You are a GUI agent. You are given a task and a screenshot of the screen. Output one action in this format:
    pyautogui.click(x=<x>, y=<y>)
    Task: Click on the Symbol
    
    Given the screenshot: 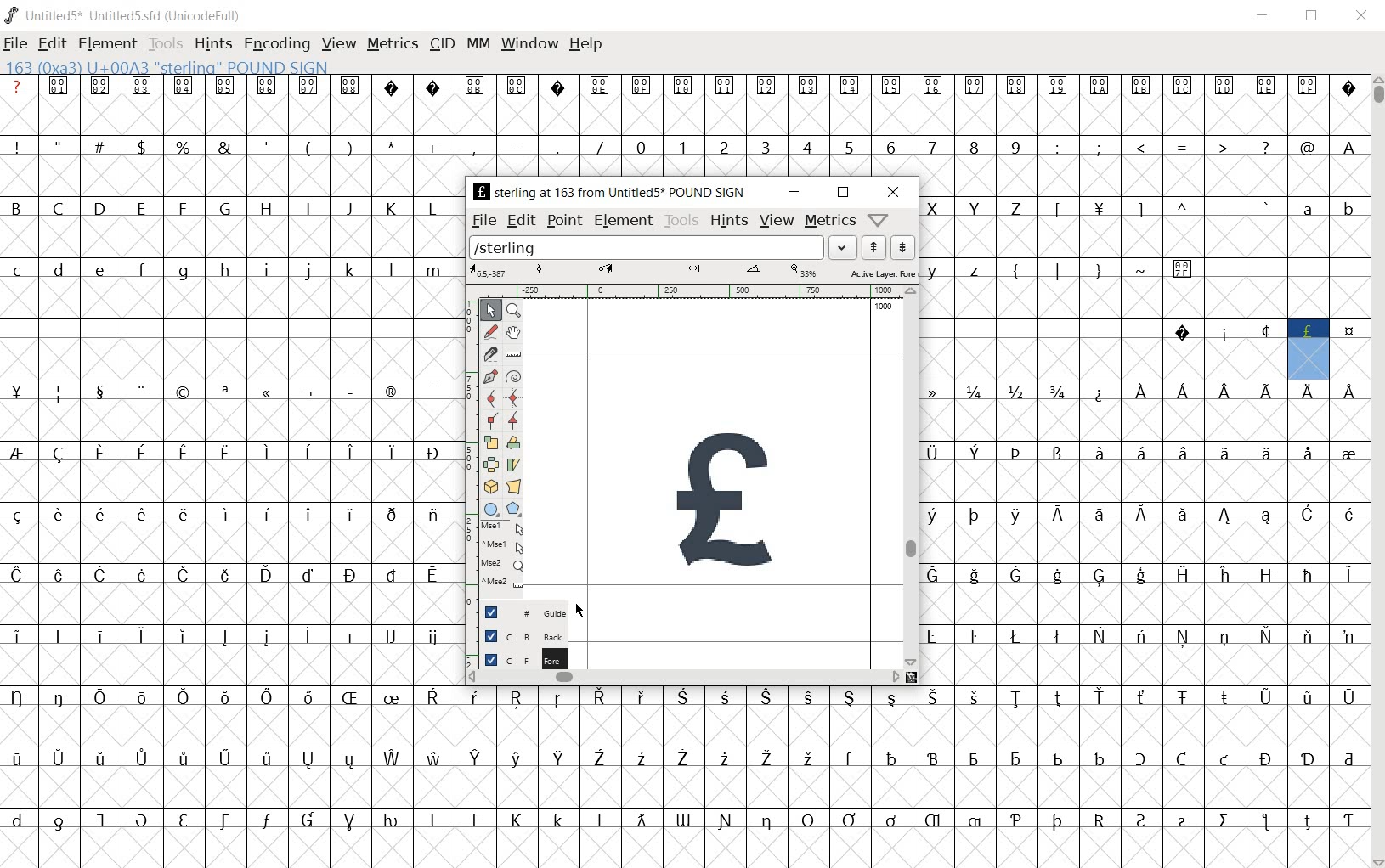 What is the action you would take?
    pyautogui.click(x=1307, y=332)
    